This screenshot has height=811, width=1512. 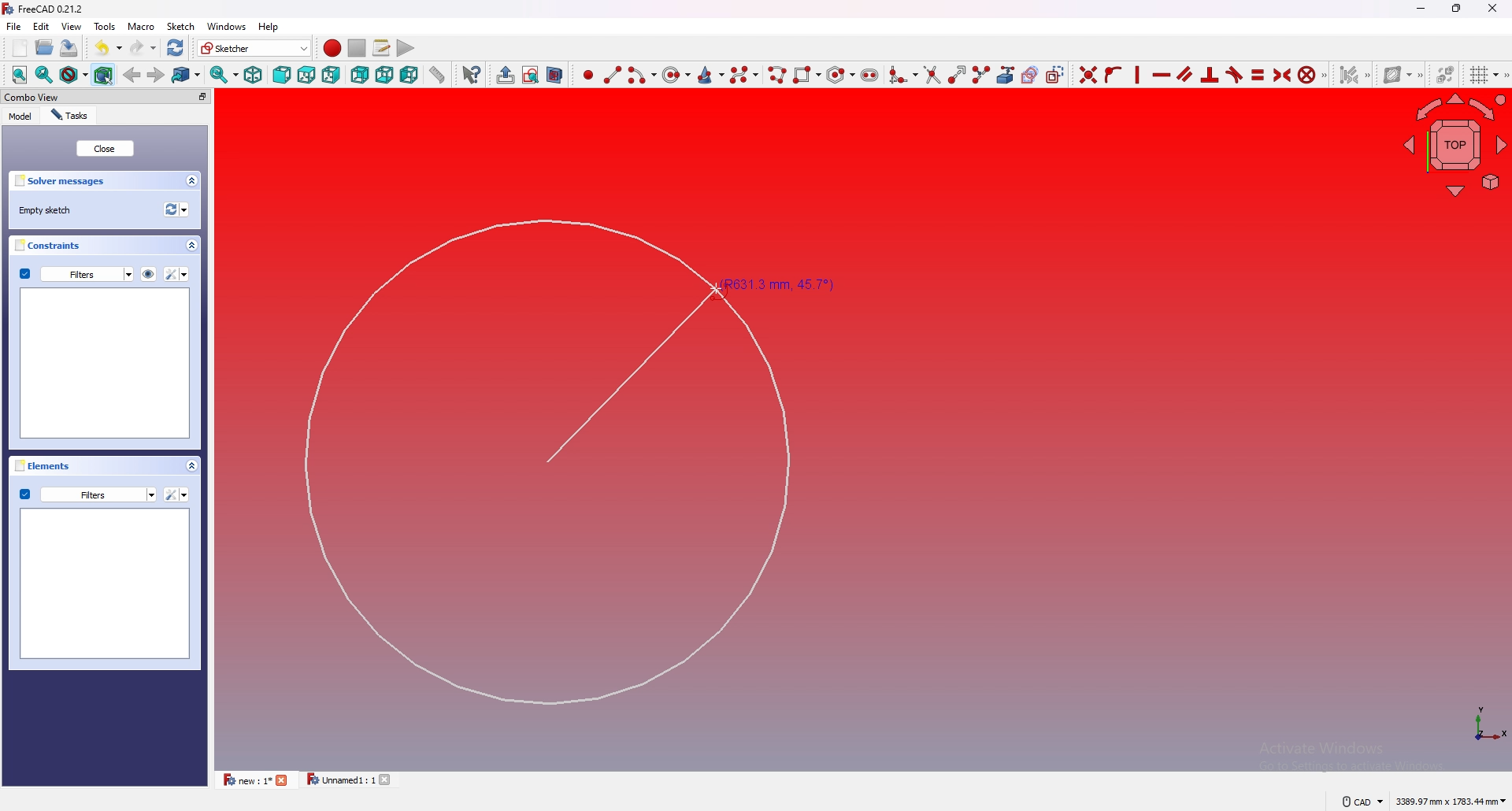 What do you see at coordinates (775, 75) in the screenshot?
I see `create poly line` at bounding box center [775, 75].